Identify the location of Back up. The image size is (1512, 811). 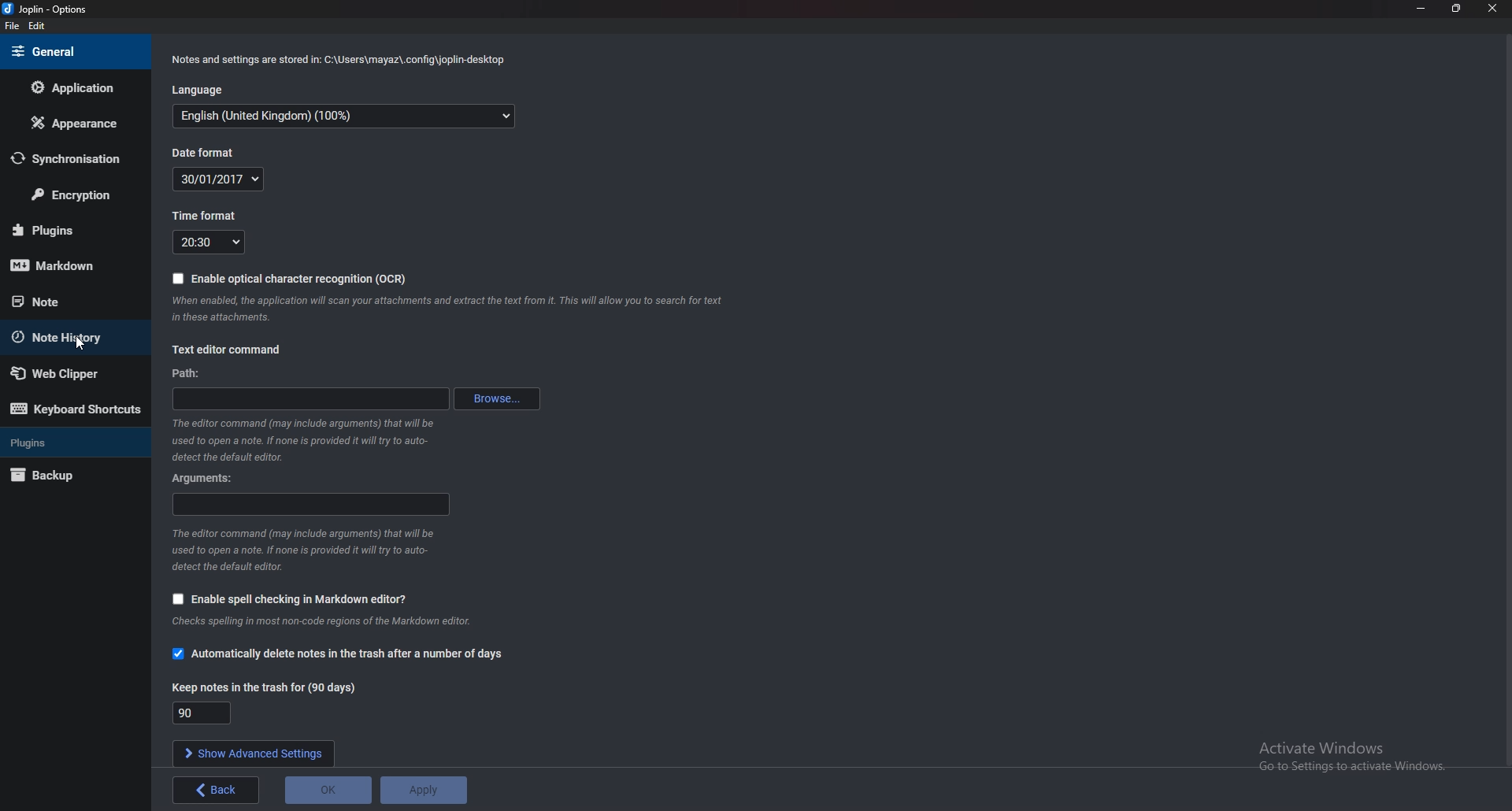
(63, 476).